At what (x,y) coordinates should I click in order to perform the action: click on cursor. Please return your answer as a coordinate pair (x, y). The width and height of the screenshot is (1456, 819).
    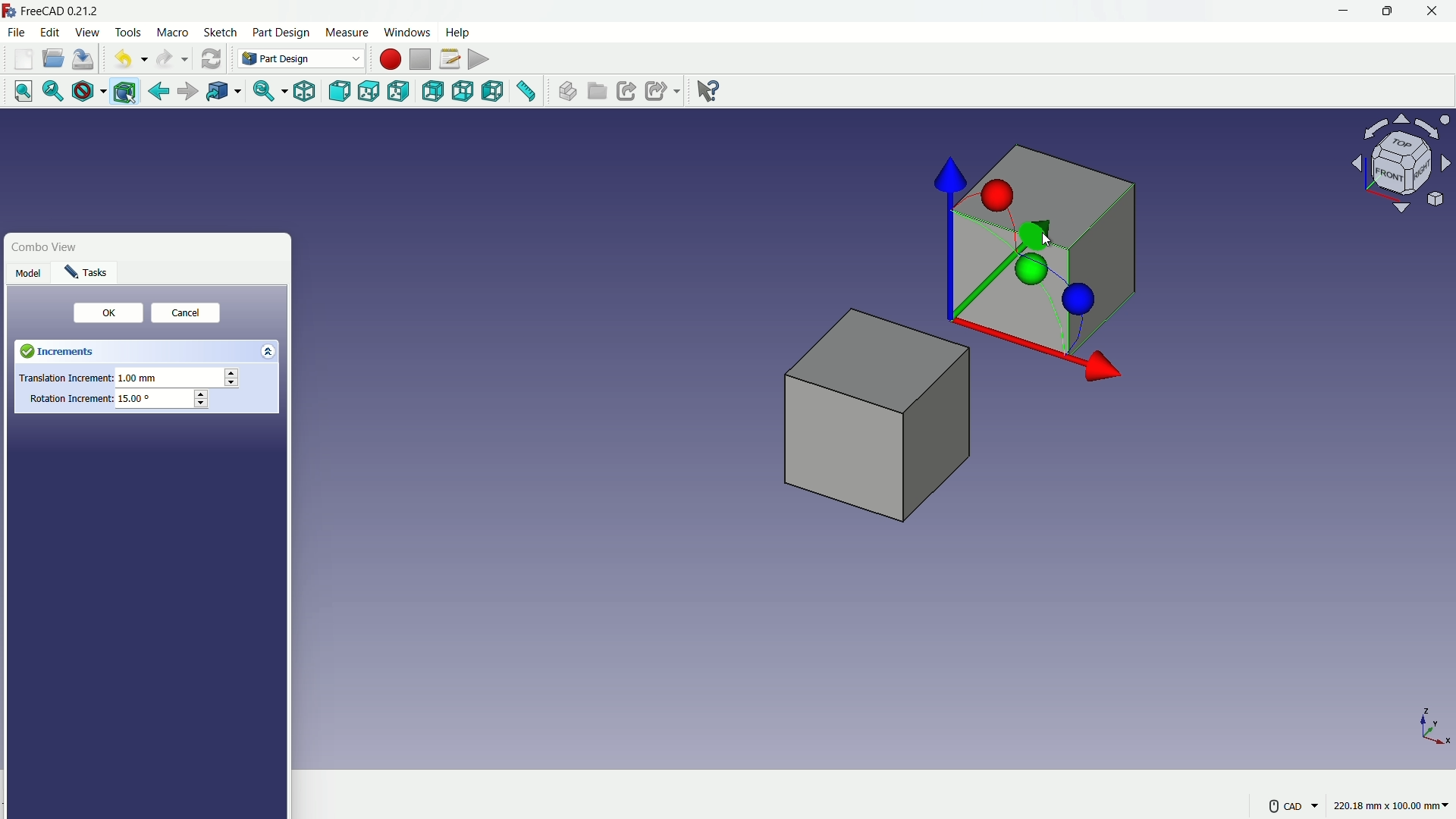
    Looking at the image, I should click on (1046, 242).